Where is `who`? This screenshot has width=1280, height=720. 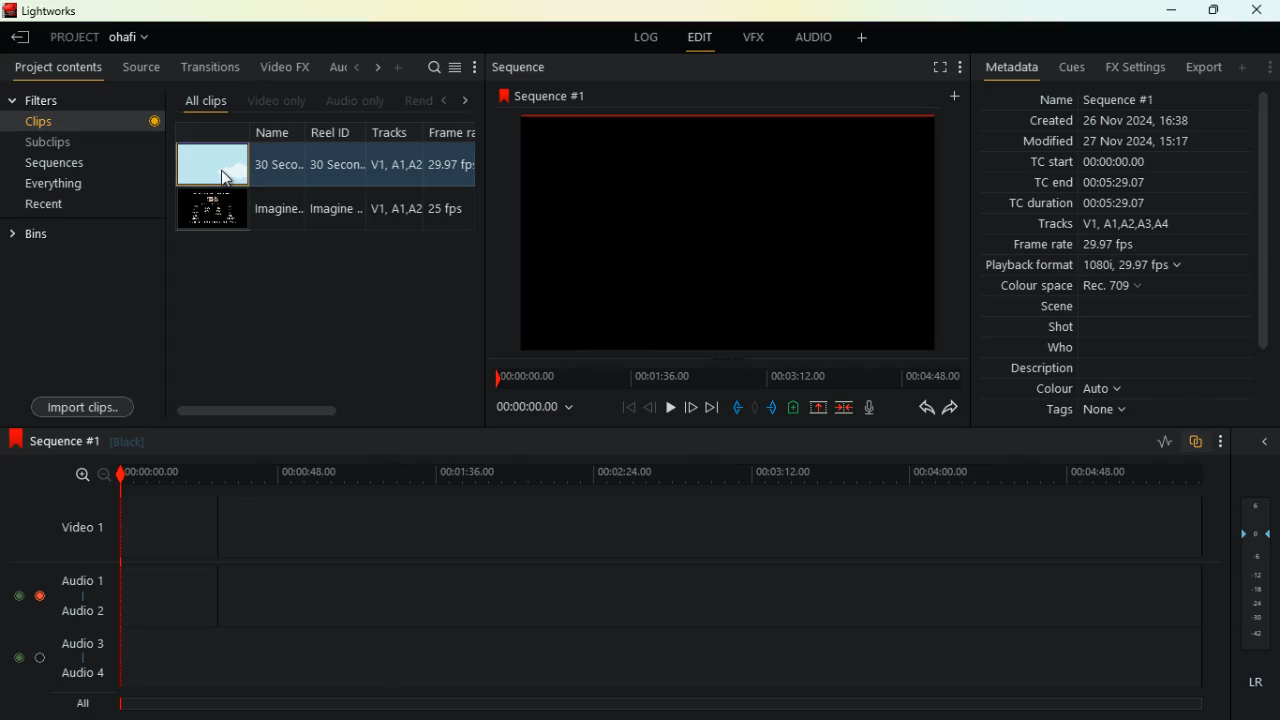 who is located at coordinates (1048, 349).